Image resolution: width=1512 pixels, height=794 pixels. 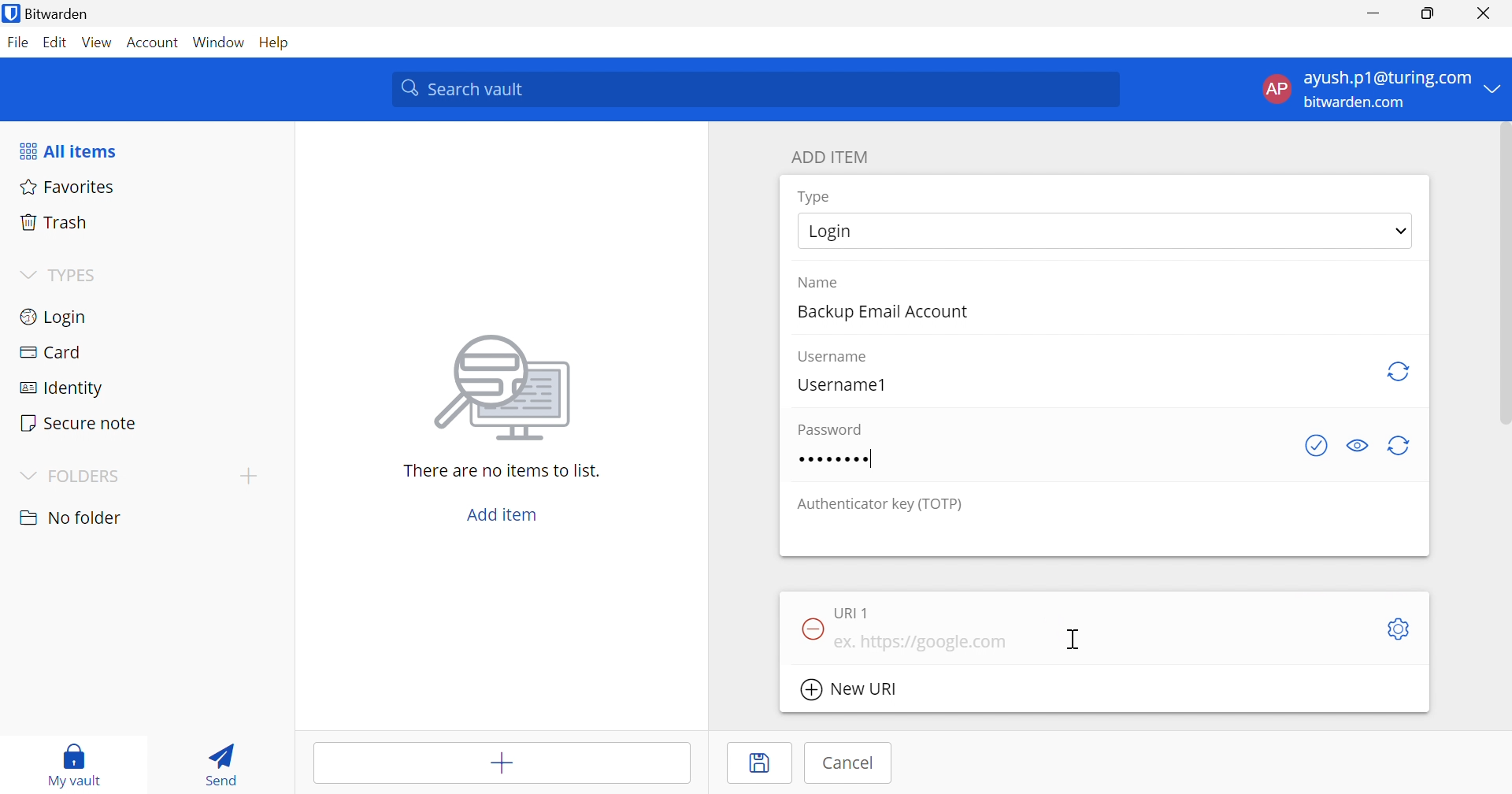 What do you see at coordinates (503, 391) in the screenshot?
I see `image` at bounding box center [503, 391].